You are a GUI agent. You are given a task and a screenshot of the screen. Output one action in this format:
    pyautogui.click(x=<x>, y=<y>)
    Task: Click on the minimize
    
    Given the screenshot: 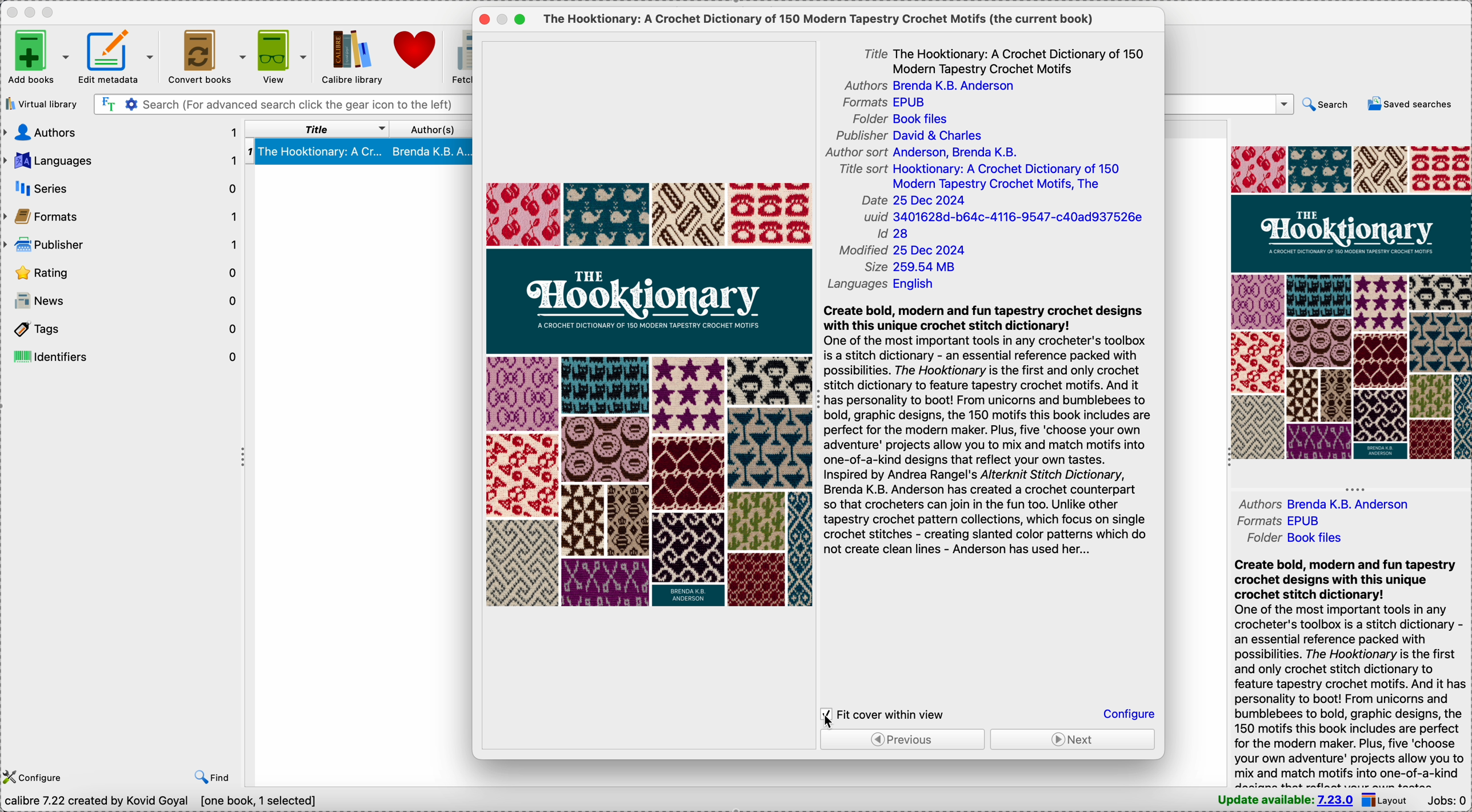 What is the action you would take?
    pyautogui.click(x=33, y=12)
    